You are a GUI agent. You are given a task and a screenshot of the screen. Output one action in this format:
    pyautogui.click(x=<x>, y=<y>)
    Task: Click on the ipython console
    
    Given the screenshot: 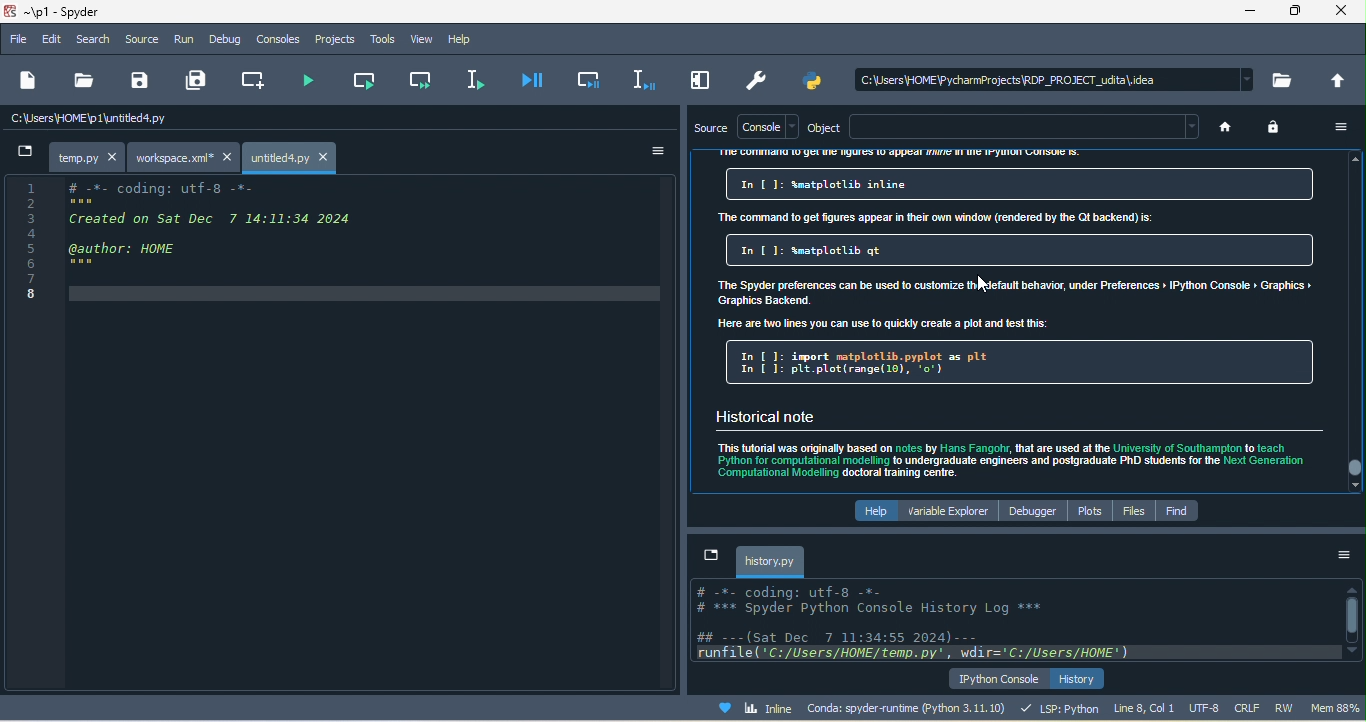 What is the action you would take?
    pyautogui.click(x=991, y=679)
    